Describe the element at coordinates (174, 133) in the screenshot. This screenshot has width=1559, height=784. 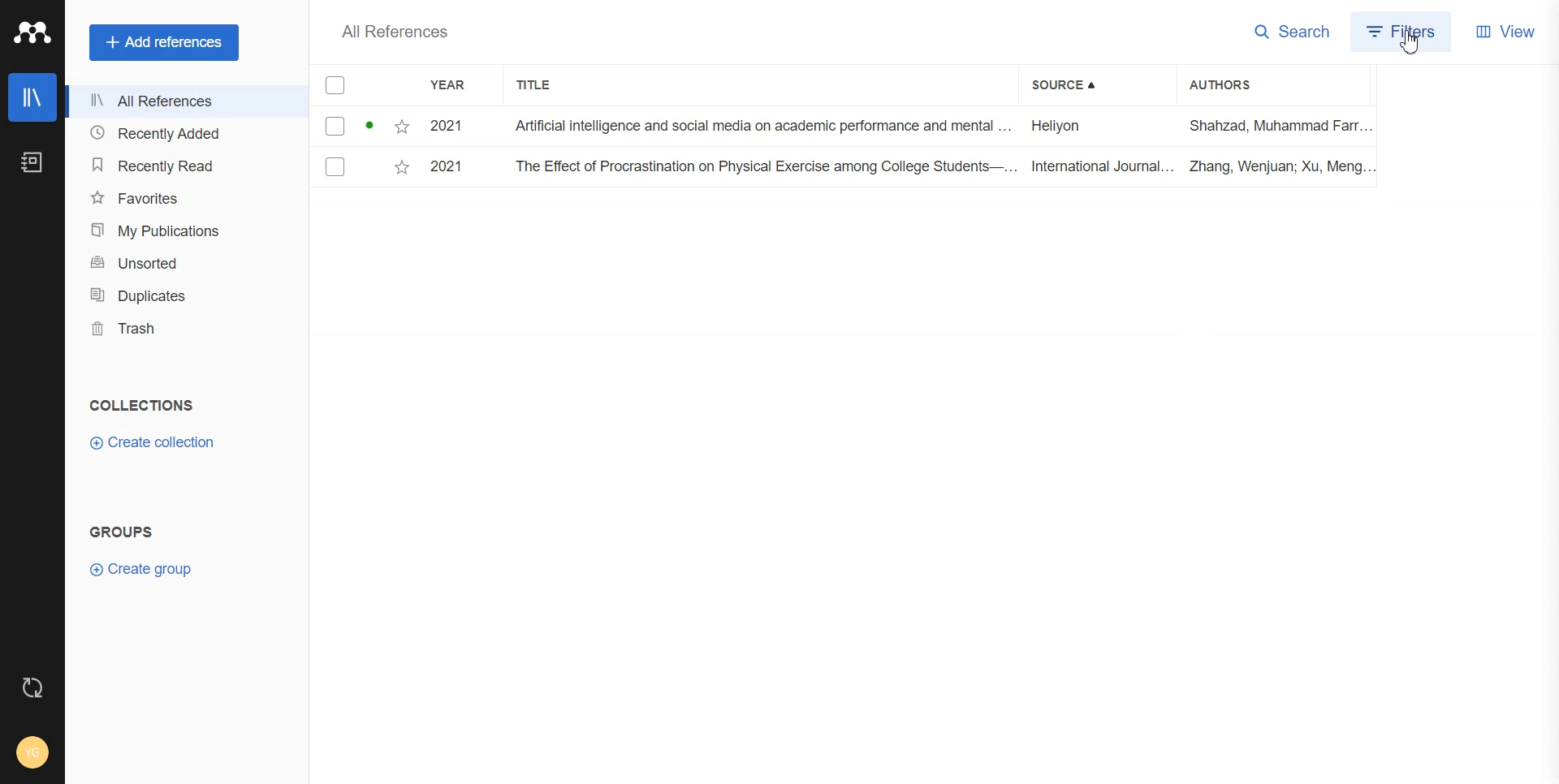
I see `Recently Added` at that location.